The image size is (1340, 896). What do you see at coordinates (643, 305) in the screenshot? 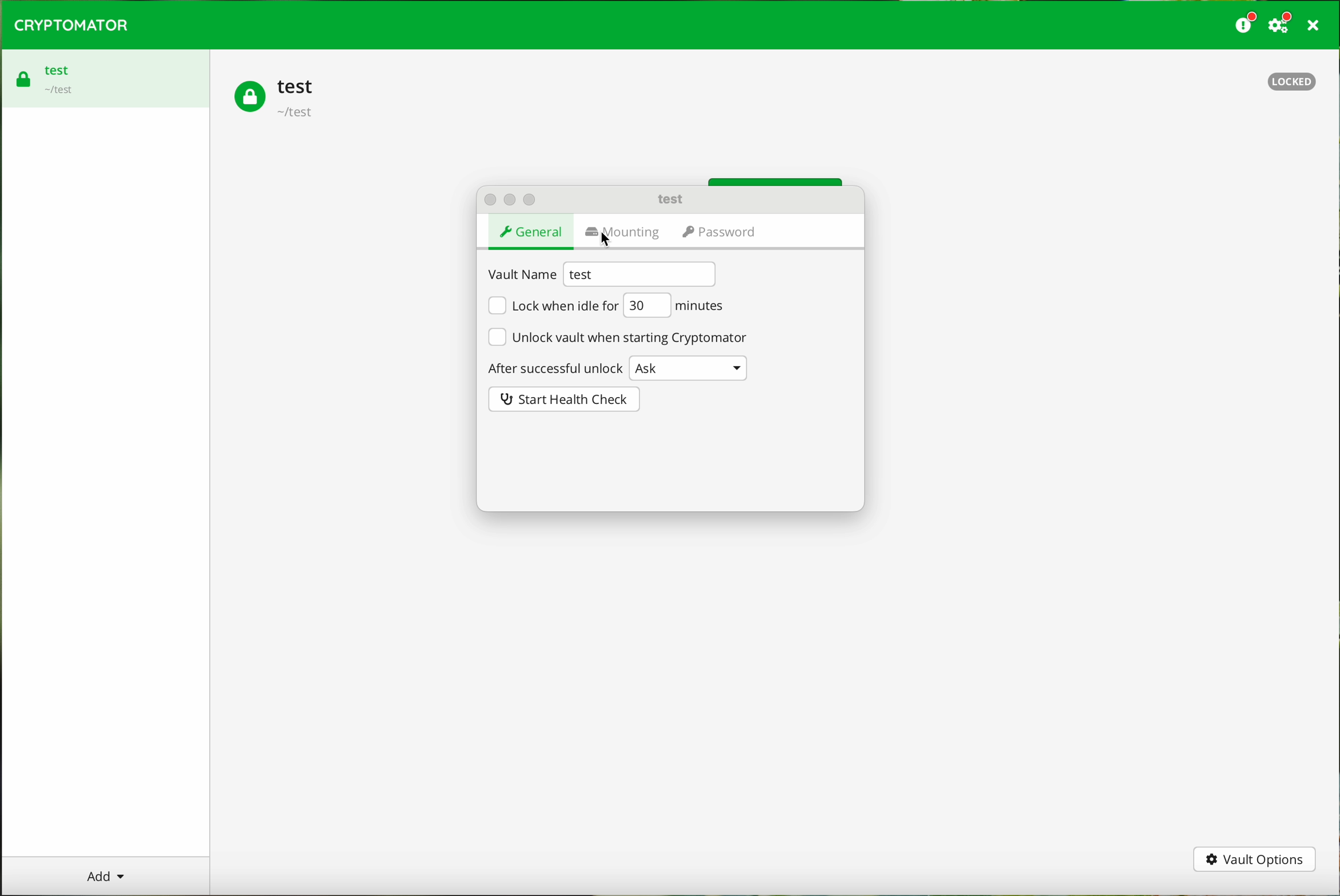
I see `30` at bounding box center [643, 305].